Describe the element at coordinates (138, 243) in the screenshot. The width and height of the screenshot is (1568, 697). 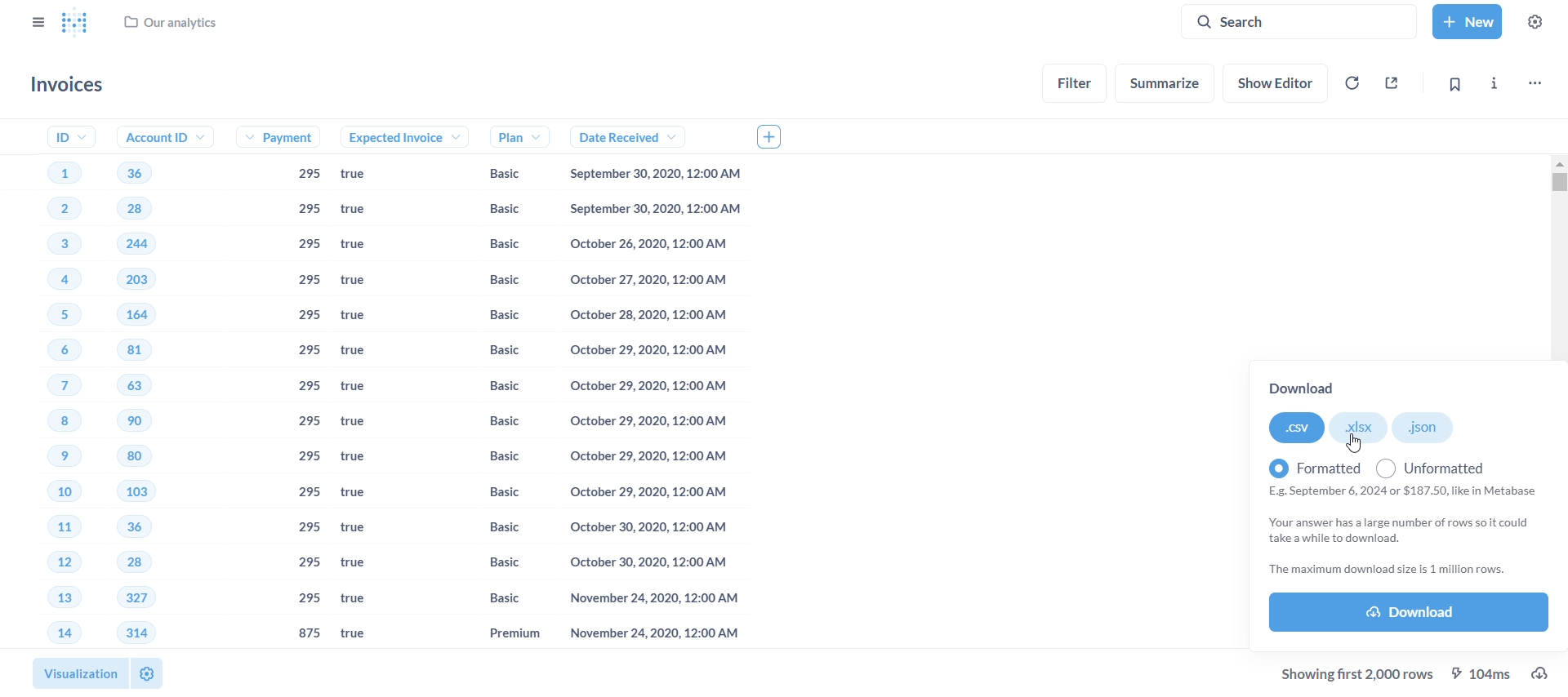
I see `244` at that location.